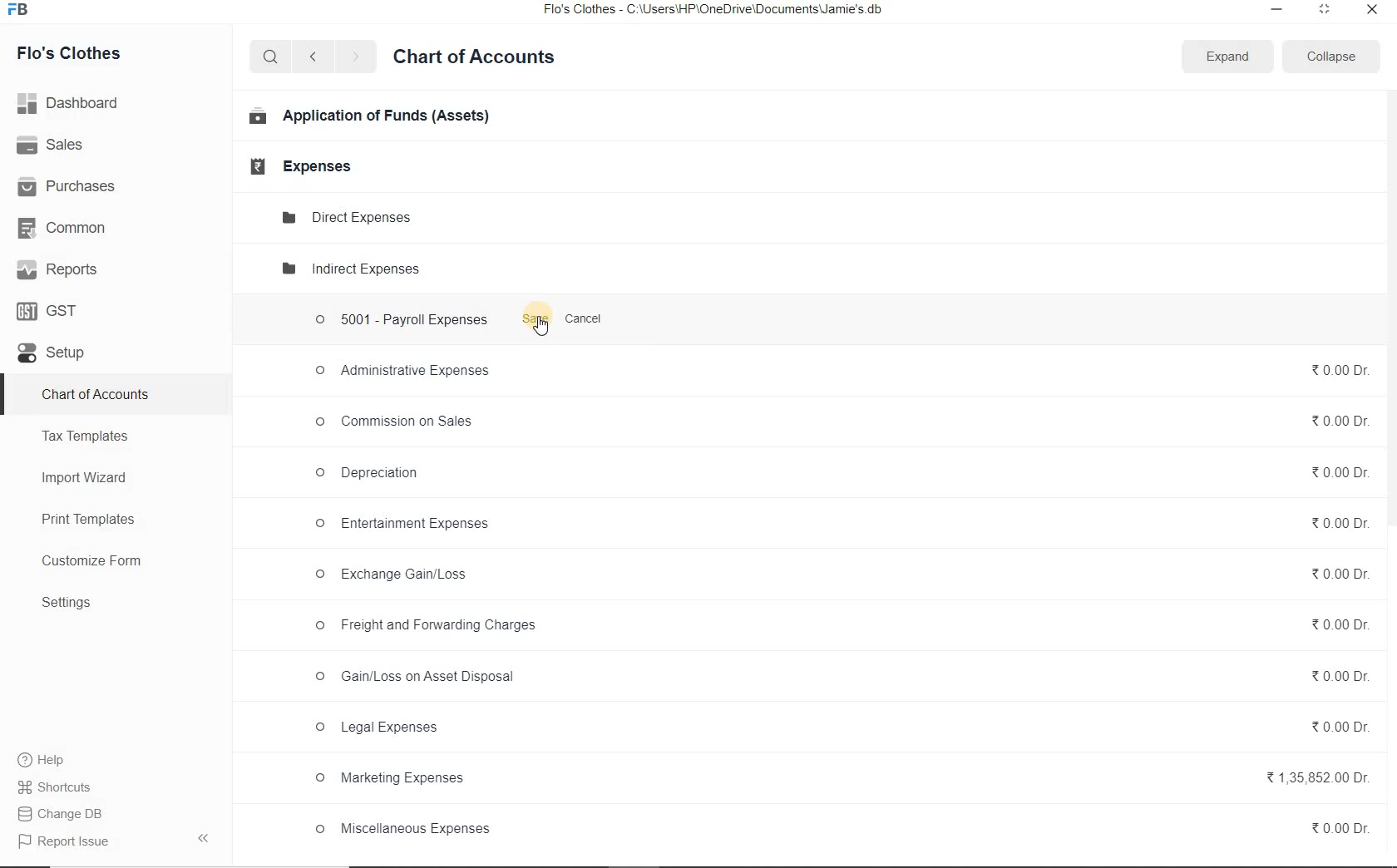 The height and width of the screenshot is (868, 1397). Describe the element at coordinates (838, 372) in the screenshot. I see `© Administrative Expenses %0.00Dr.` at that location.